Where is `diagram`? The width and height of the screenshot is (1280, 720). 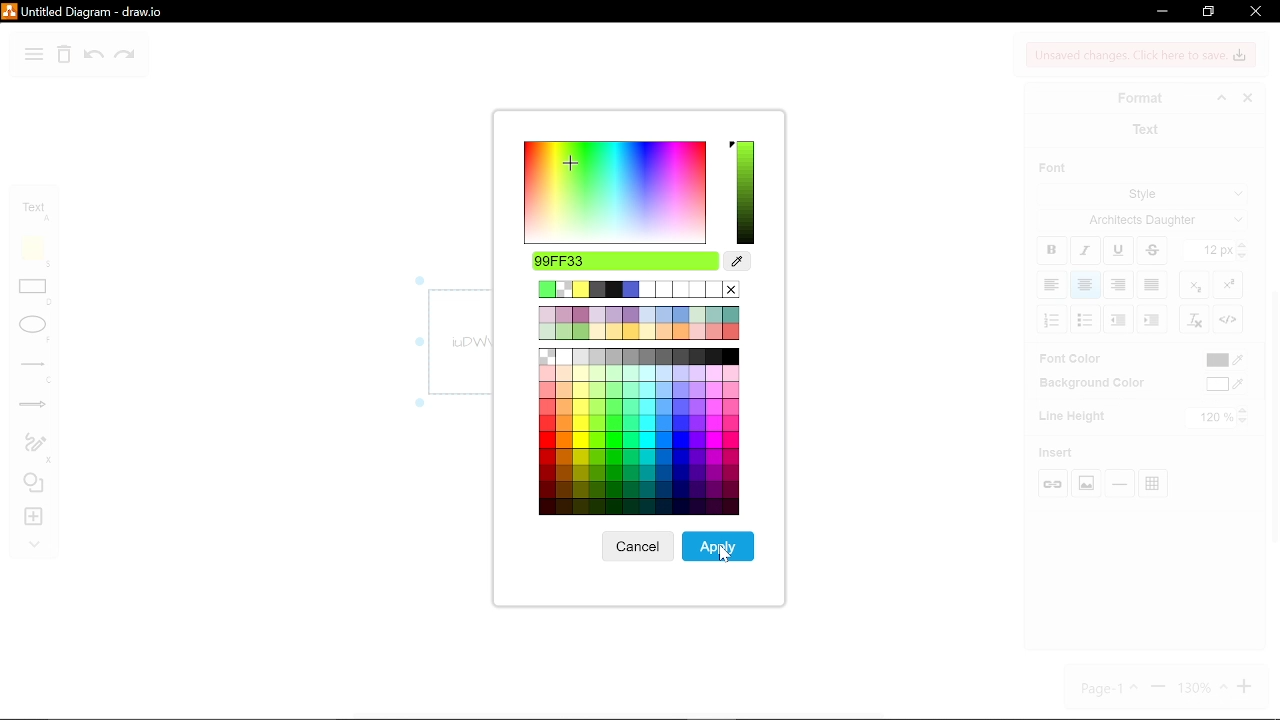 diagram is located at coordinates (34, 56).